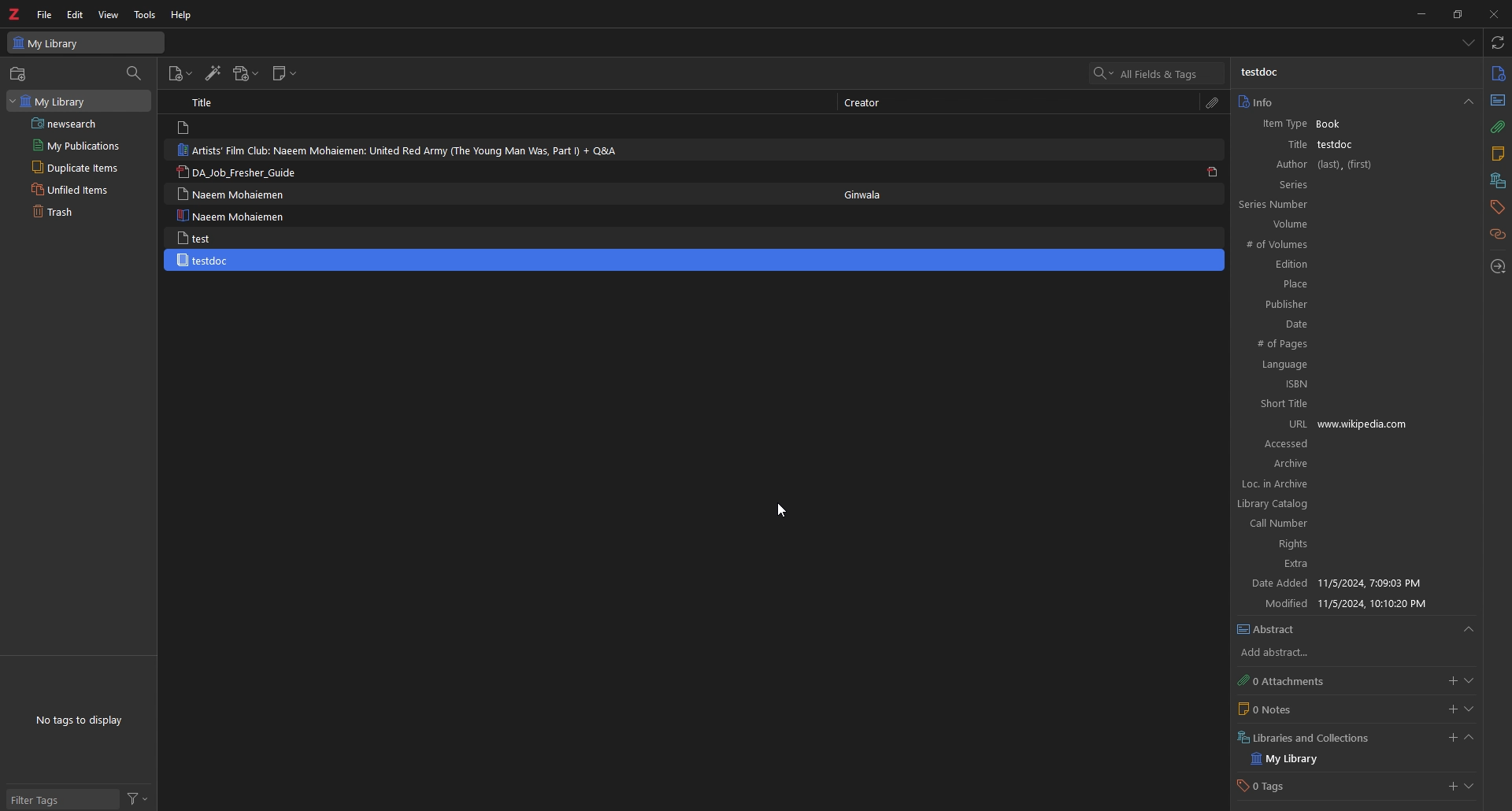 This screenshot has height=811, width=1512. Describe the element at coordinates (1332, 304) in the screenshot. I see `Publisher` at that location.